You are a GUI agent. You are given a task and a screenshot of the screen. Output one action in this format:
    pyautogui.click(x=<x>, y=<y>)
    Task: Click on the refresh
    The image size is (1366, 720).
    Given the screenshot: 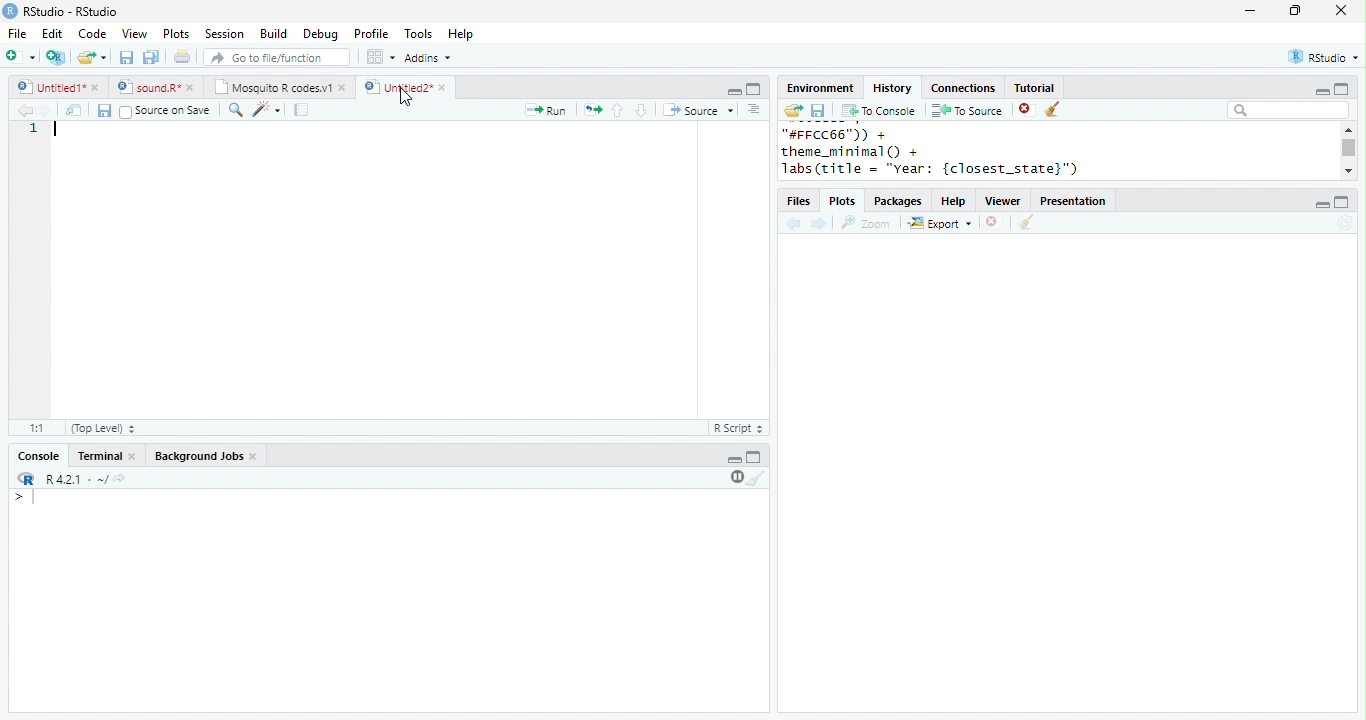 What is the action you would take?
    pyautogui.click(x=1345, y=223)
    